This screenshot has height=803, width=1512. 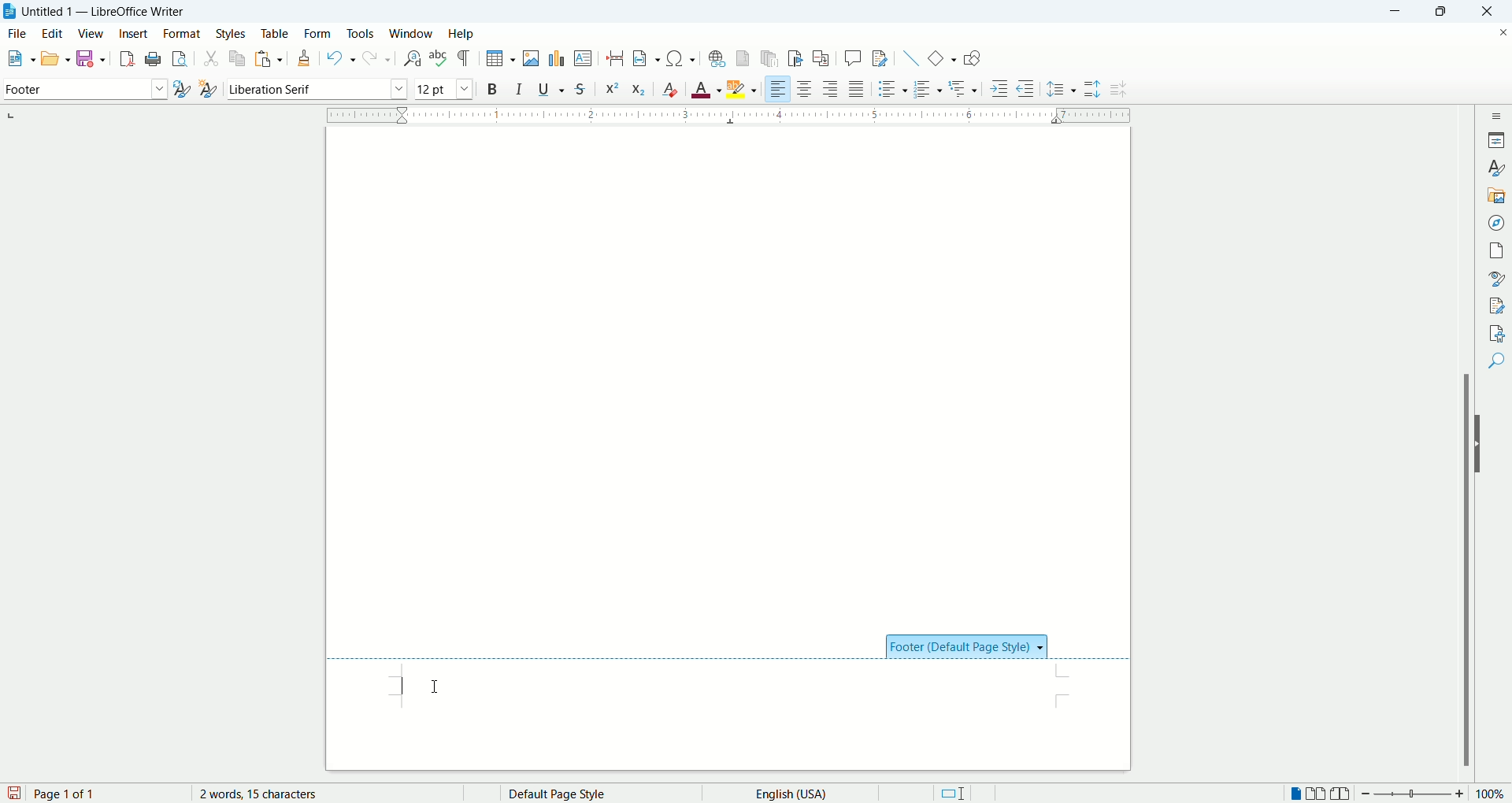 What do you see at coordinates (341, 58) in the screenshot?
I see `undo` at bounding box center [341, 58].